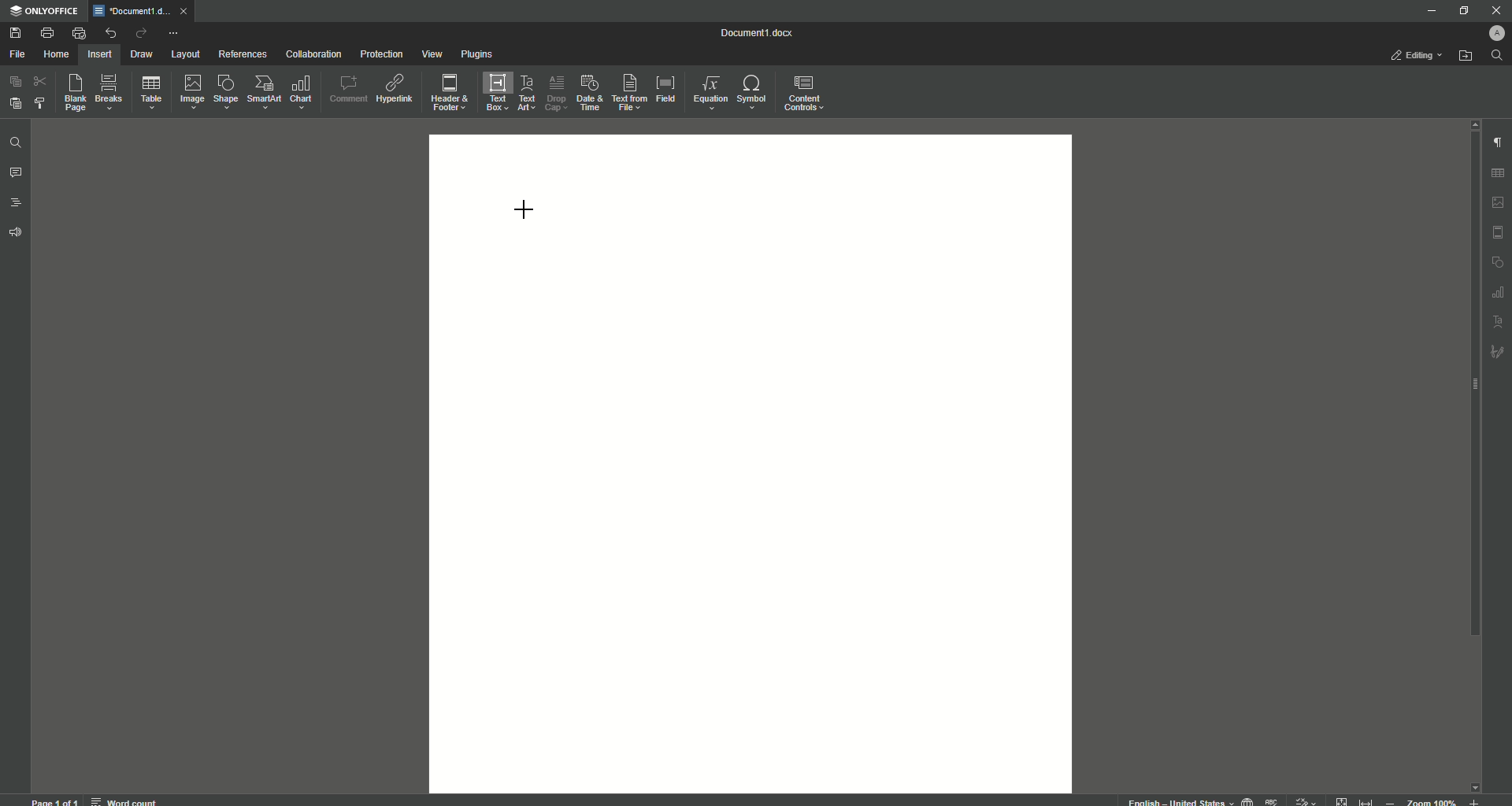 The image size is (1512, 806). What do you see at coordinates (55, 800) in the screenshot?
I see `page 1 of 1` at bounding box center [55, 800].